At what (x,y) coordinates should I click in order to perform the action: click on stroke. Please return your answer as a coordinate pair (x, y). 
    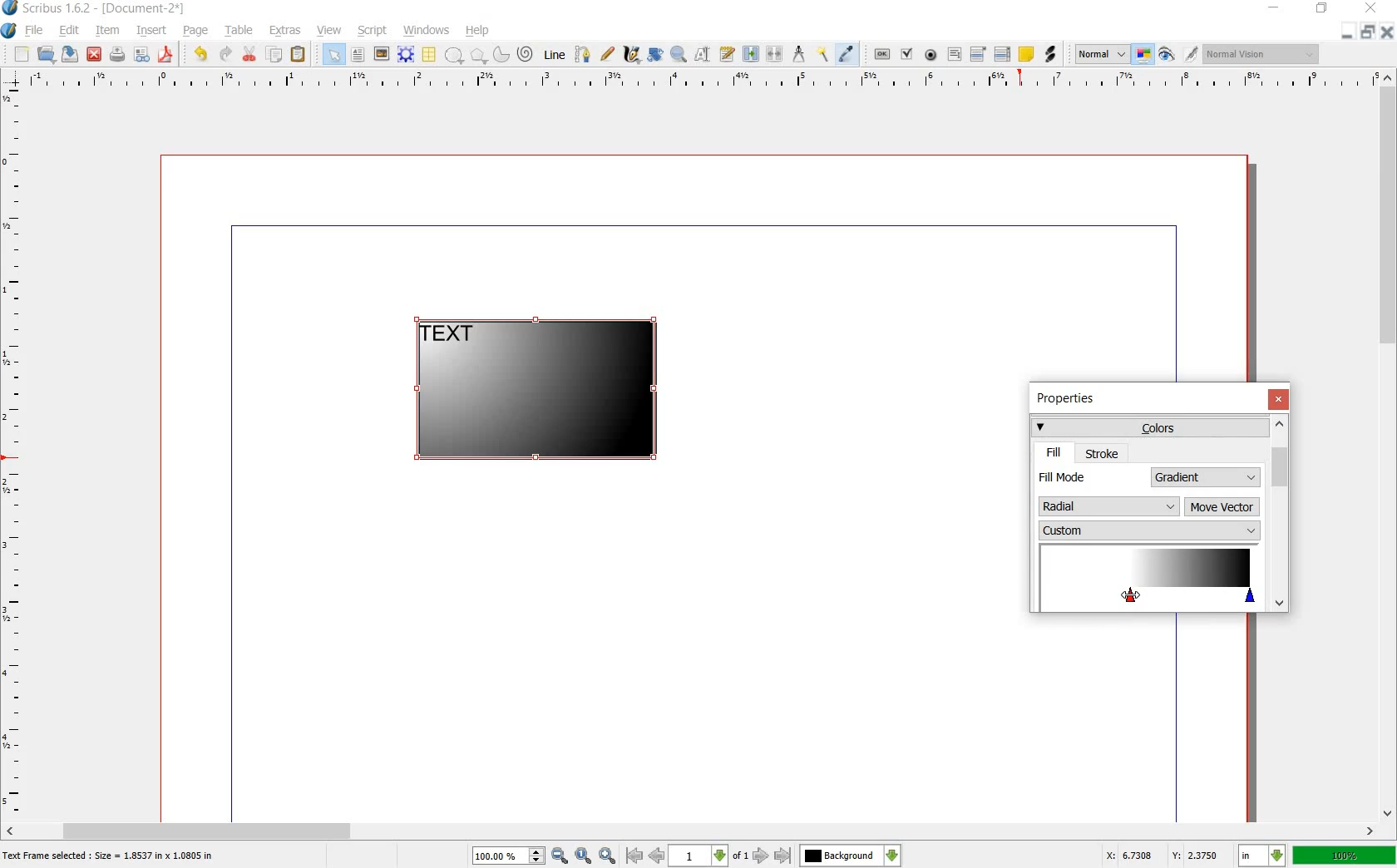
    Looking at the image, I should click on (1103, 453).